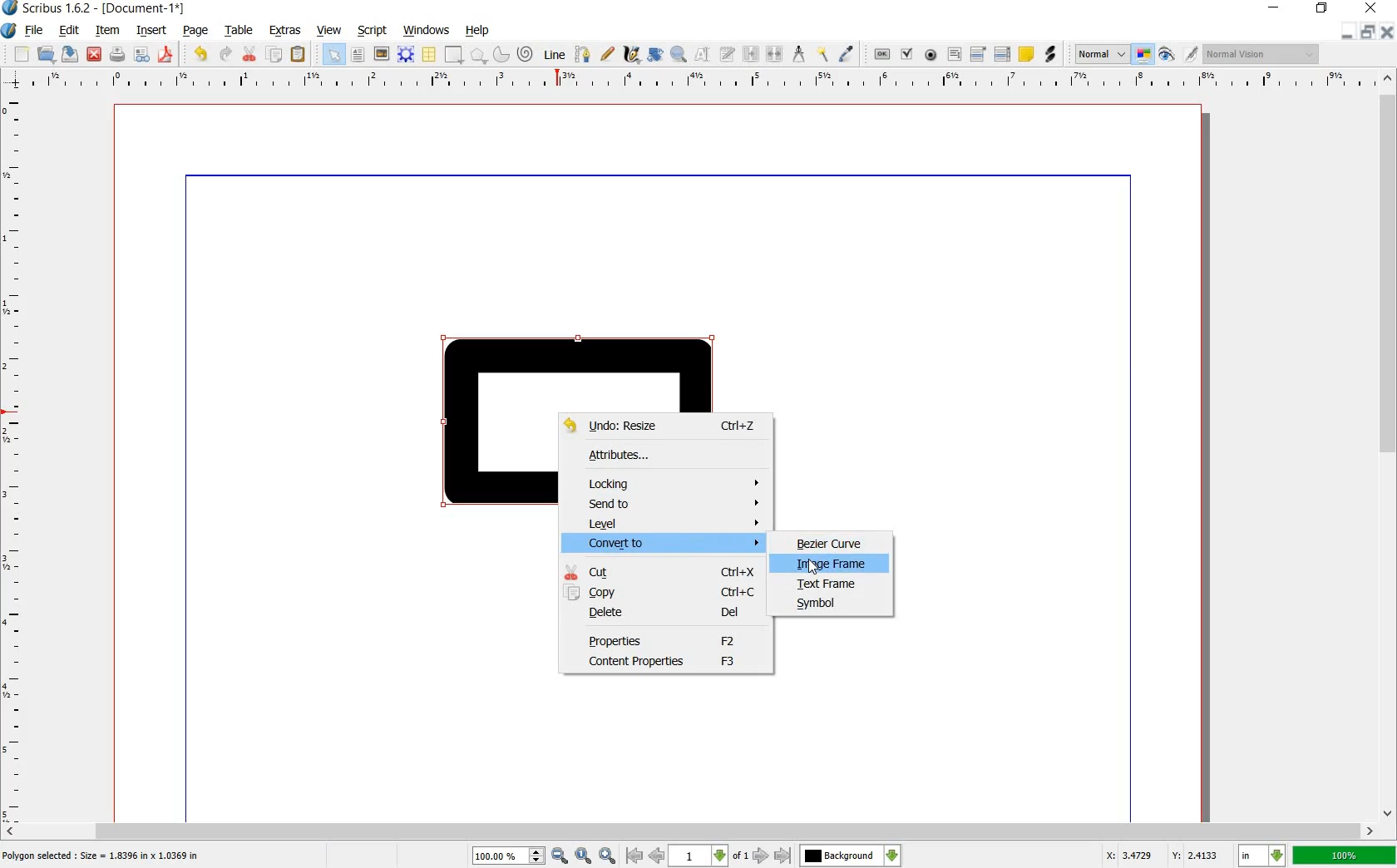 The width and height of the screenshot is (1397, 868). I want to click on pdf check box, so click(907, 55).